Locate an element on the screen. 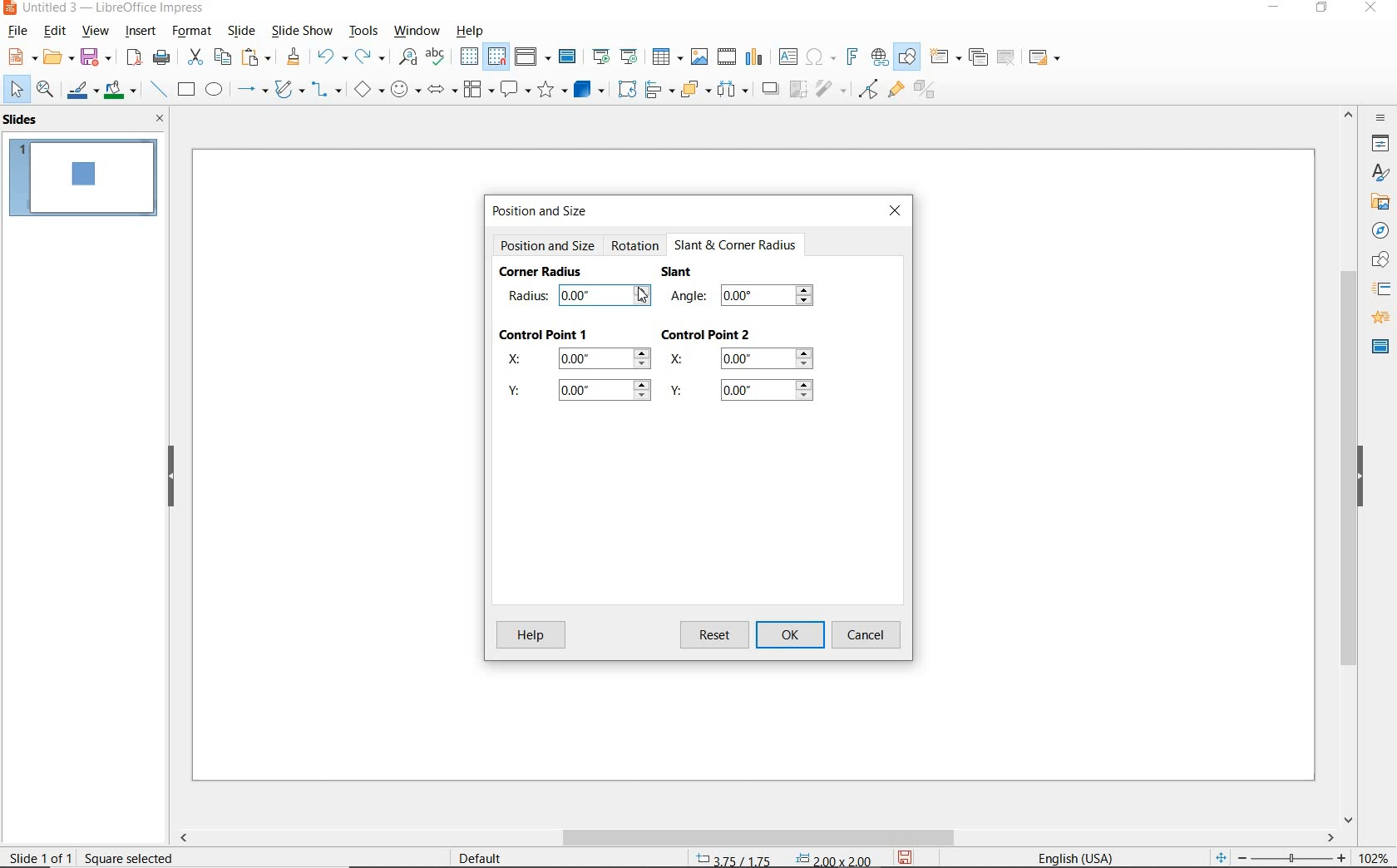 The height and width of the screenshot is (868, 1397). slide transition is located at coordinates (1380, 289).